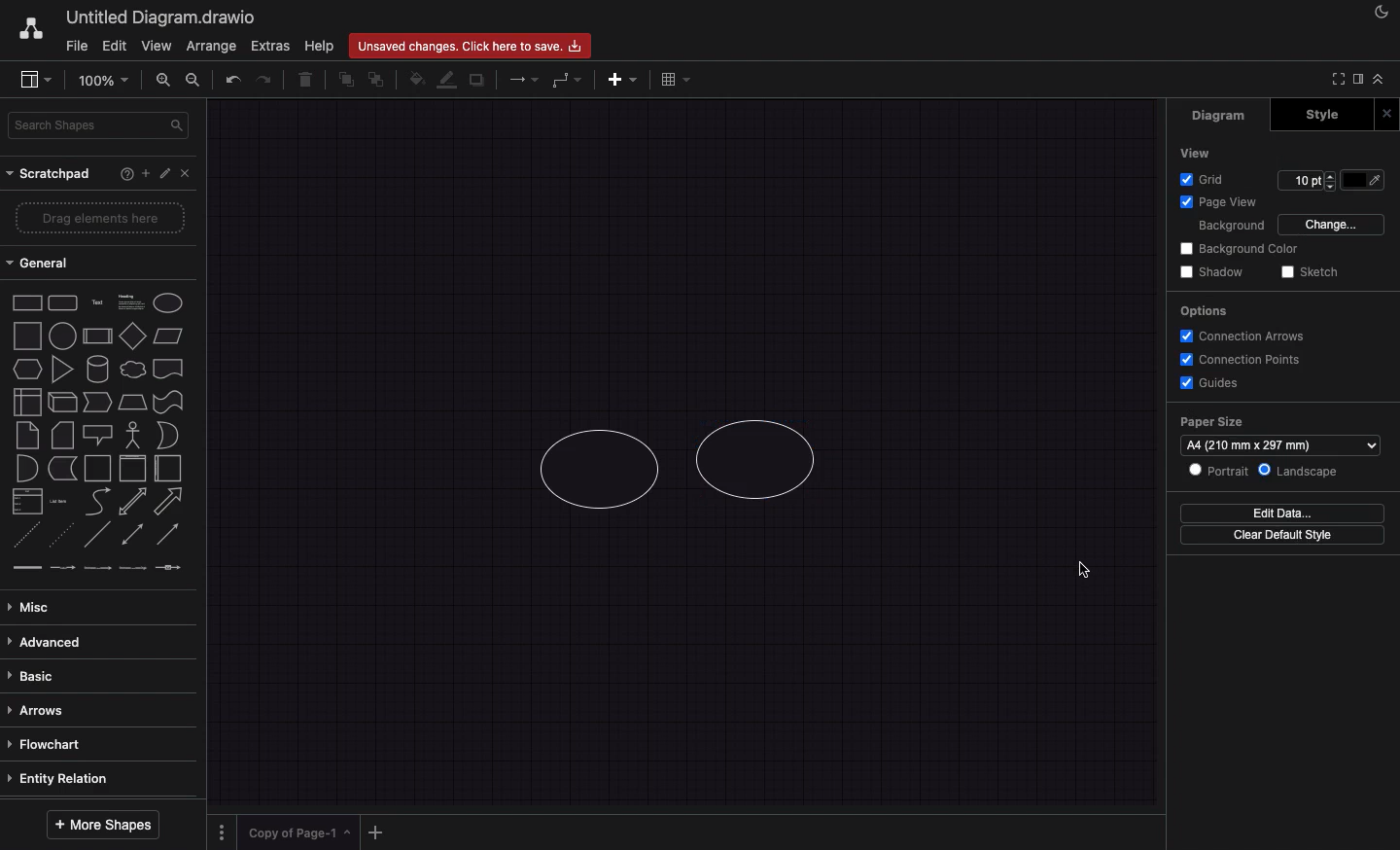 The image size is (1400, 850). What do you see at coordinates (95, 676) in the screenshot?
I see `basic` at bounding box center [95, 676].